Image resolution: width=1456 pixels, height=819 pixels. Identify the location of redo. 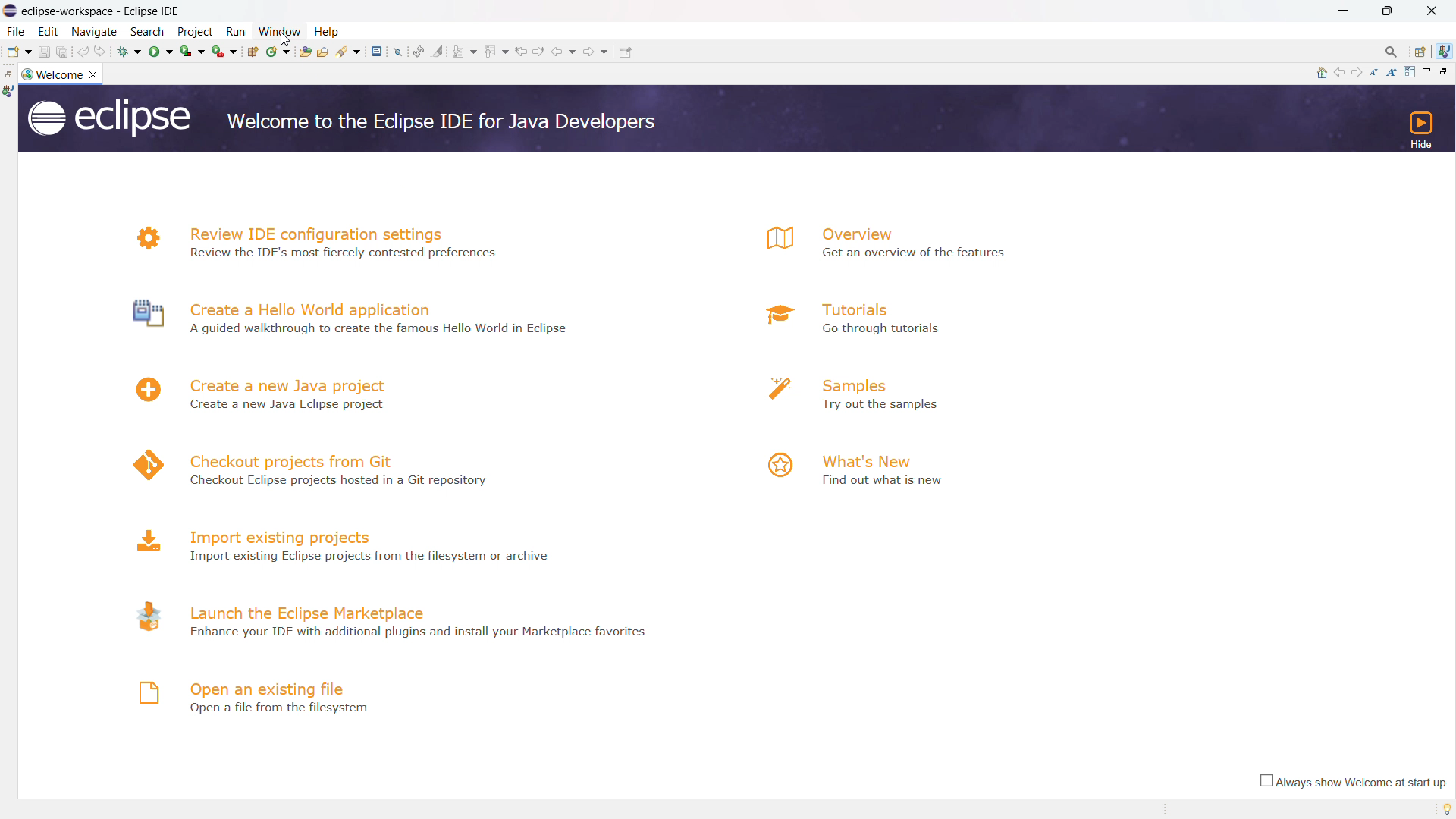
(102, 52).